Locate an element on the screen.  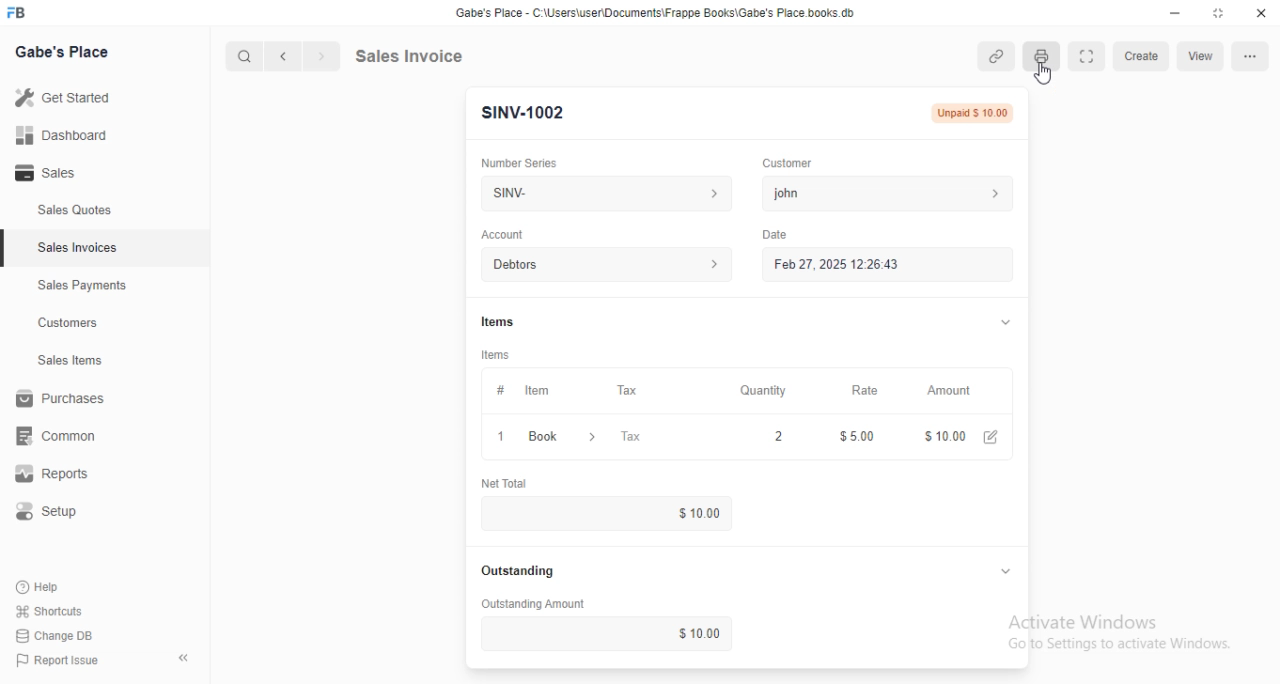
1 is located at coordinates (501, 436).